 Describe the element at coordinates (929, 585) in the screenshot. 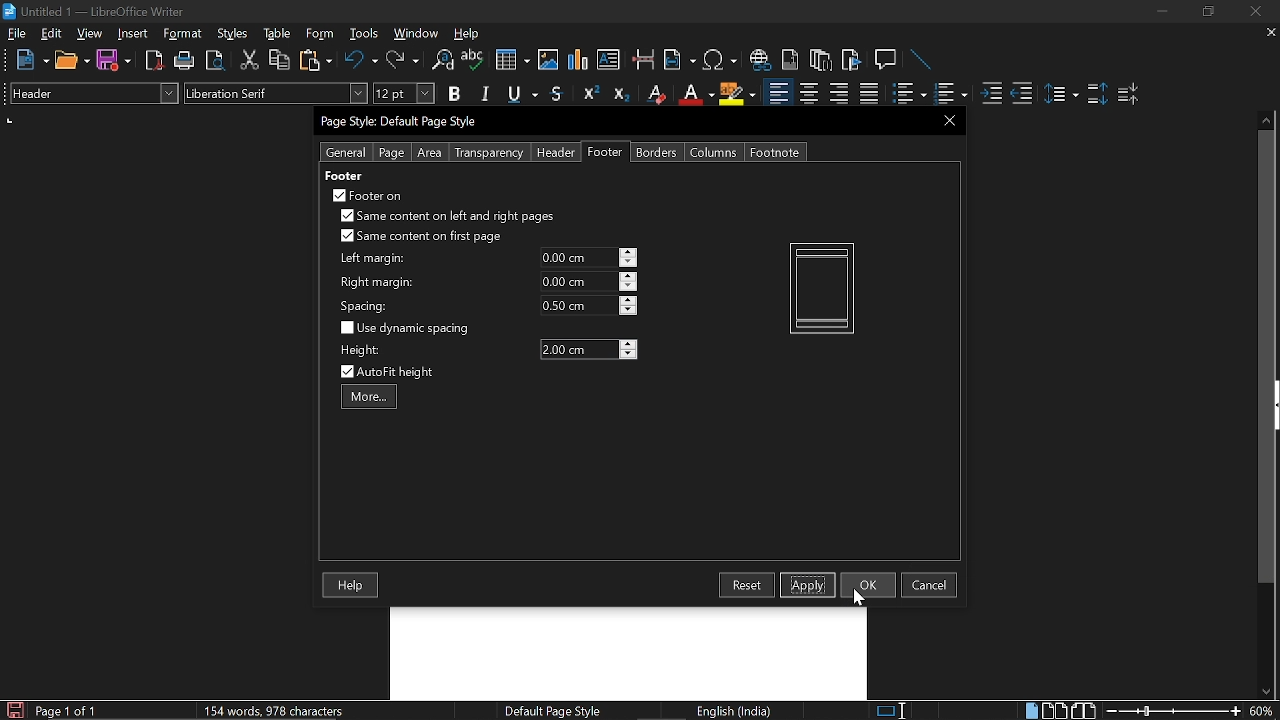

I see `cancel` at that location.